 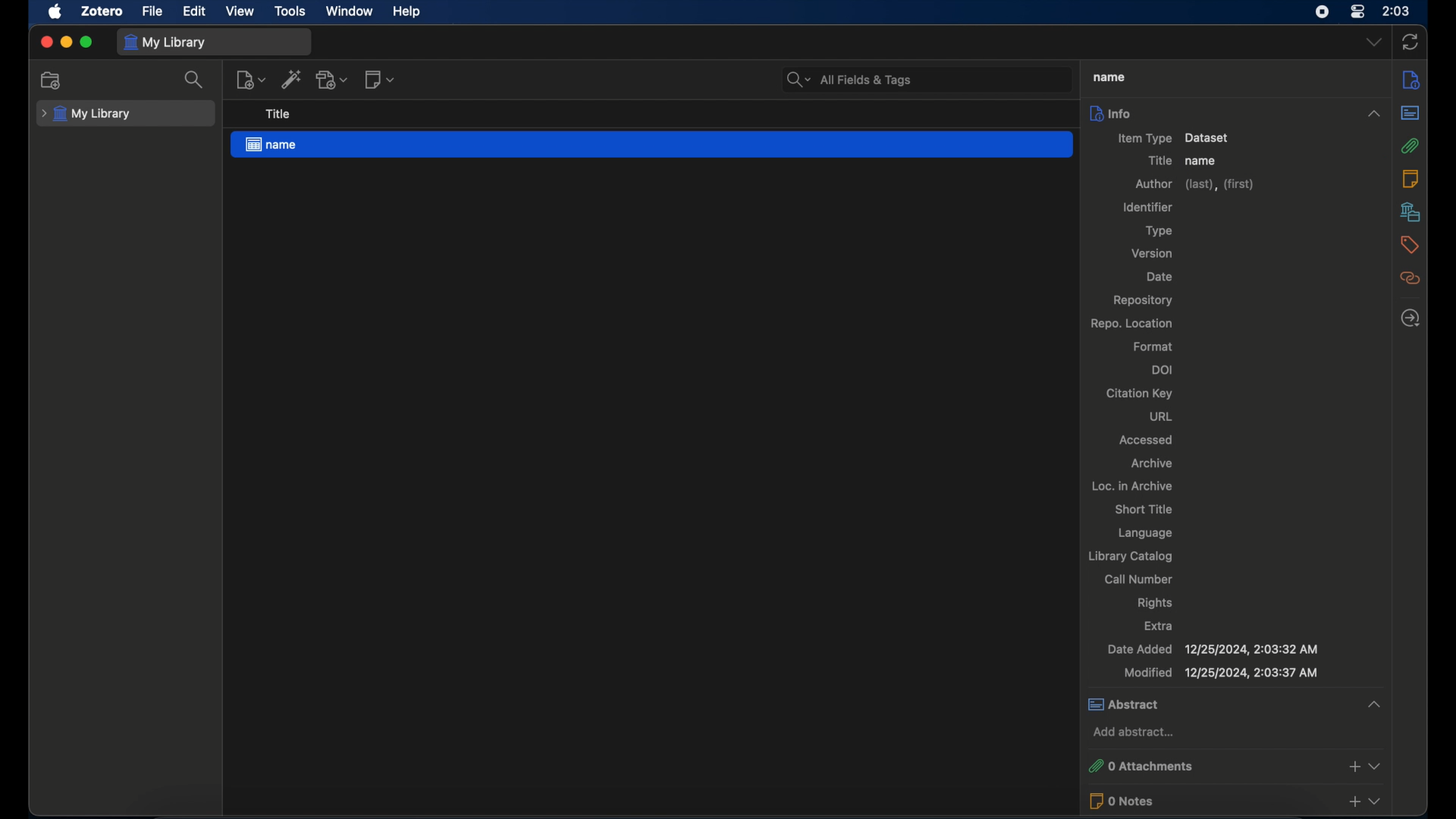 What do you see at coordinates (1398, 10) in the screenshot?
I see `time` at bounding box center [1398, 10].